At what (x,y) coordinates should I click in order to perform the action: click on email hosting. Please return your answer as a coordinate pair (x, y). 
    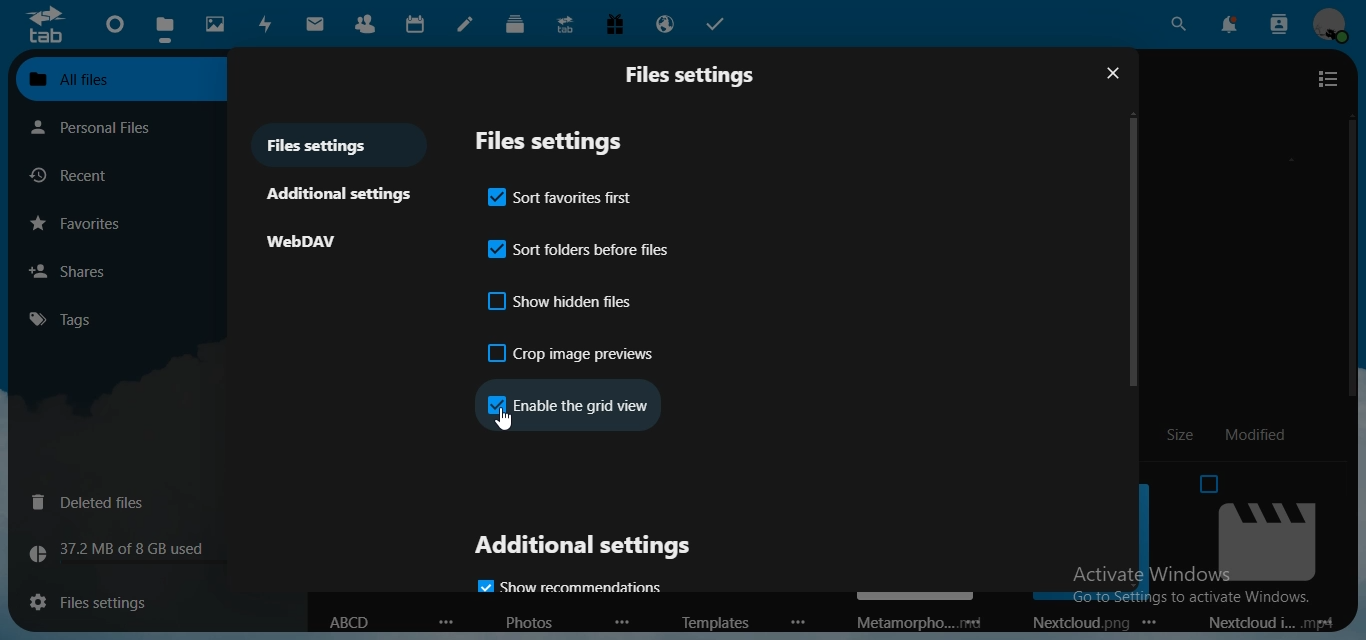
    Looking at the image, I should click on (668, 23).